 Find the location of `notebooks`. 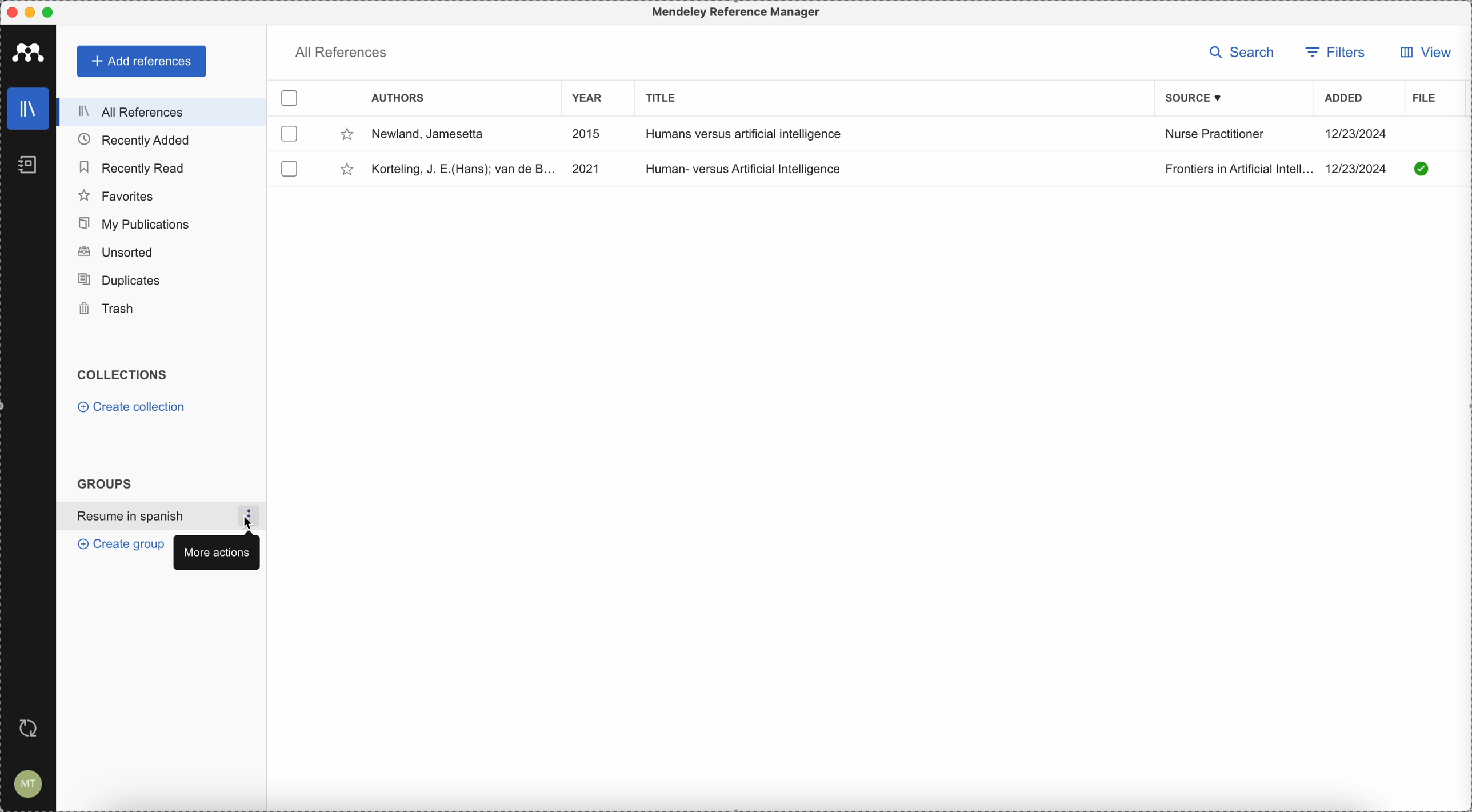

notebooks is located at coordinates (25, 163).